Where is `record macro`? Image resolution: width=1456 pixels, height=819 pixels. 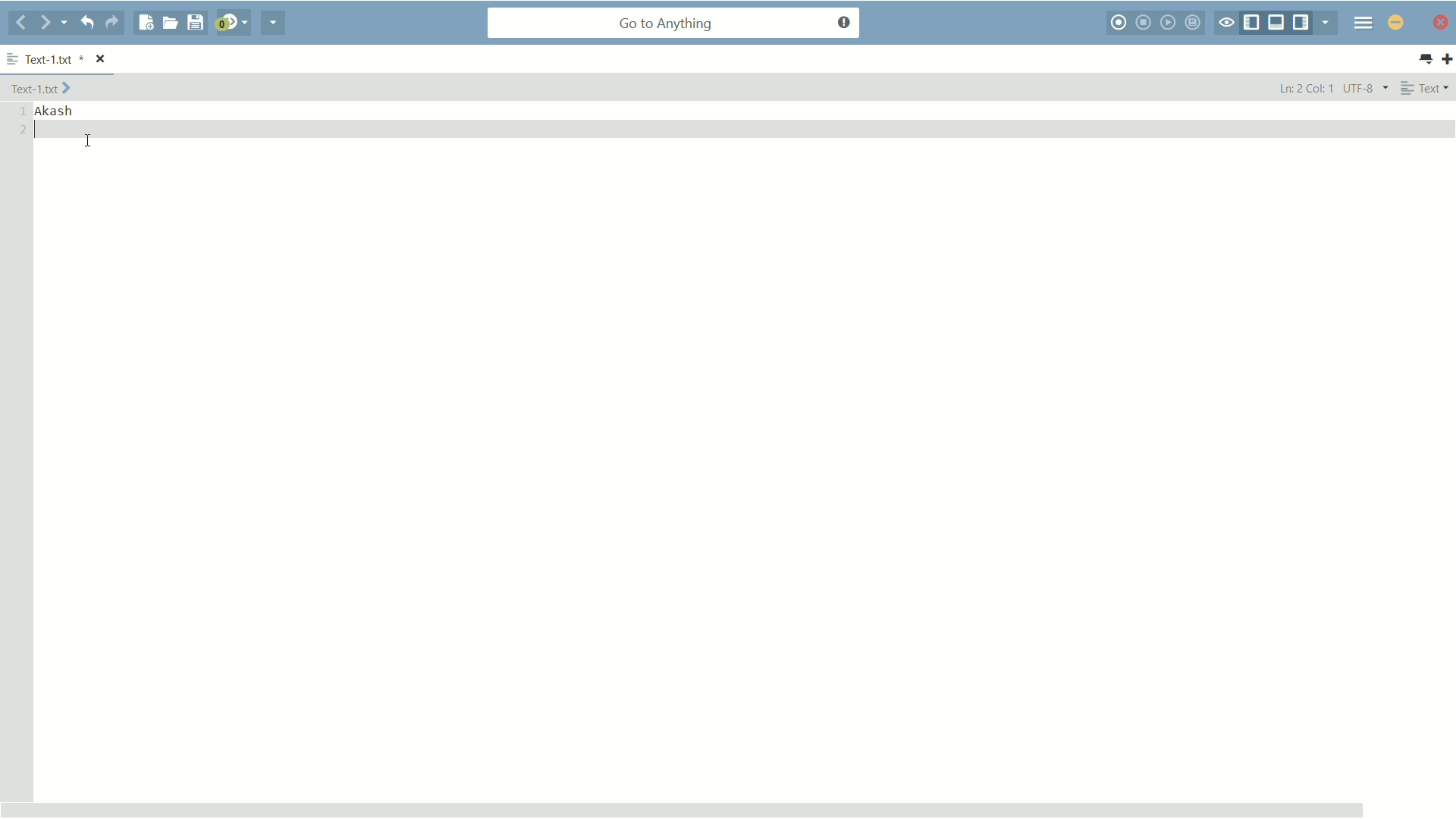
record macro is located at coordinates (1118, 23).